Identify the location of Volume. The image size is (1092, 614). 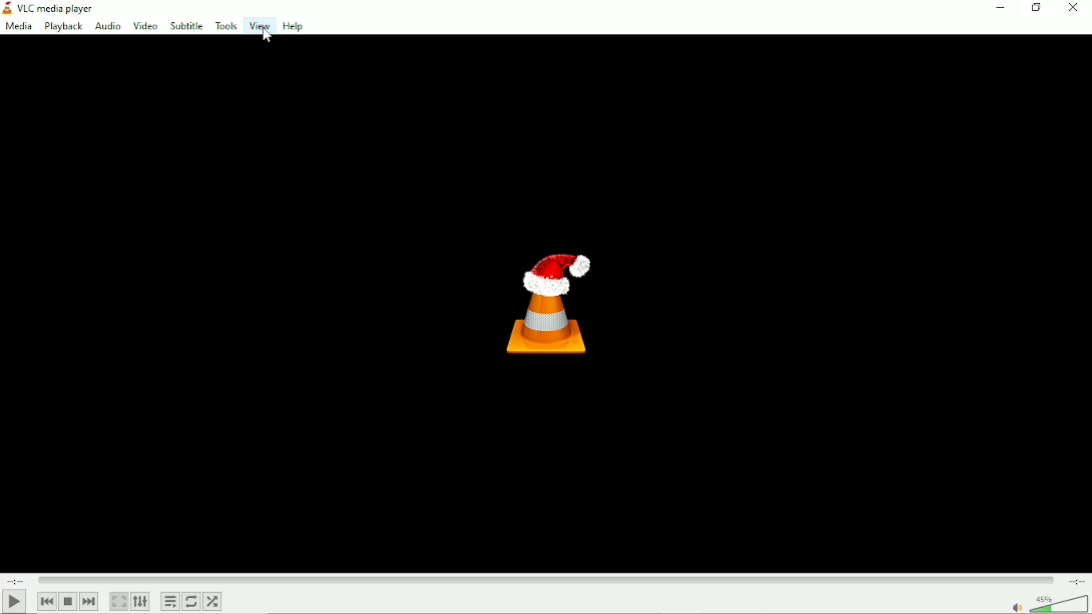
(1048, 603).